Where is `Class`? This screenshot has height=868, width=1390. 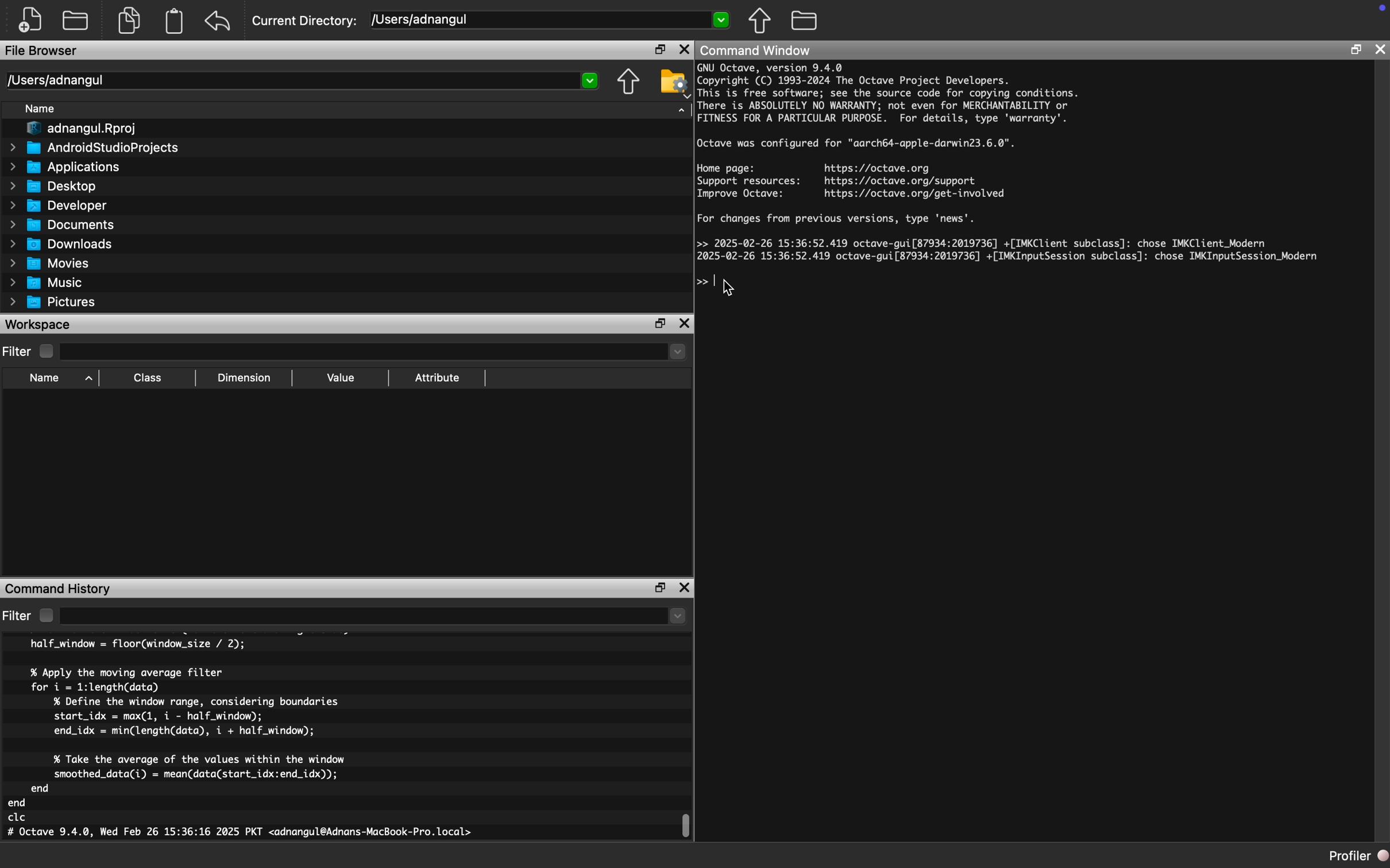
Class is located at coordinates (148, 378).